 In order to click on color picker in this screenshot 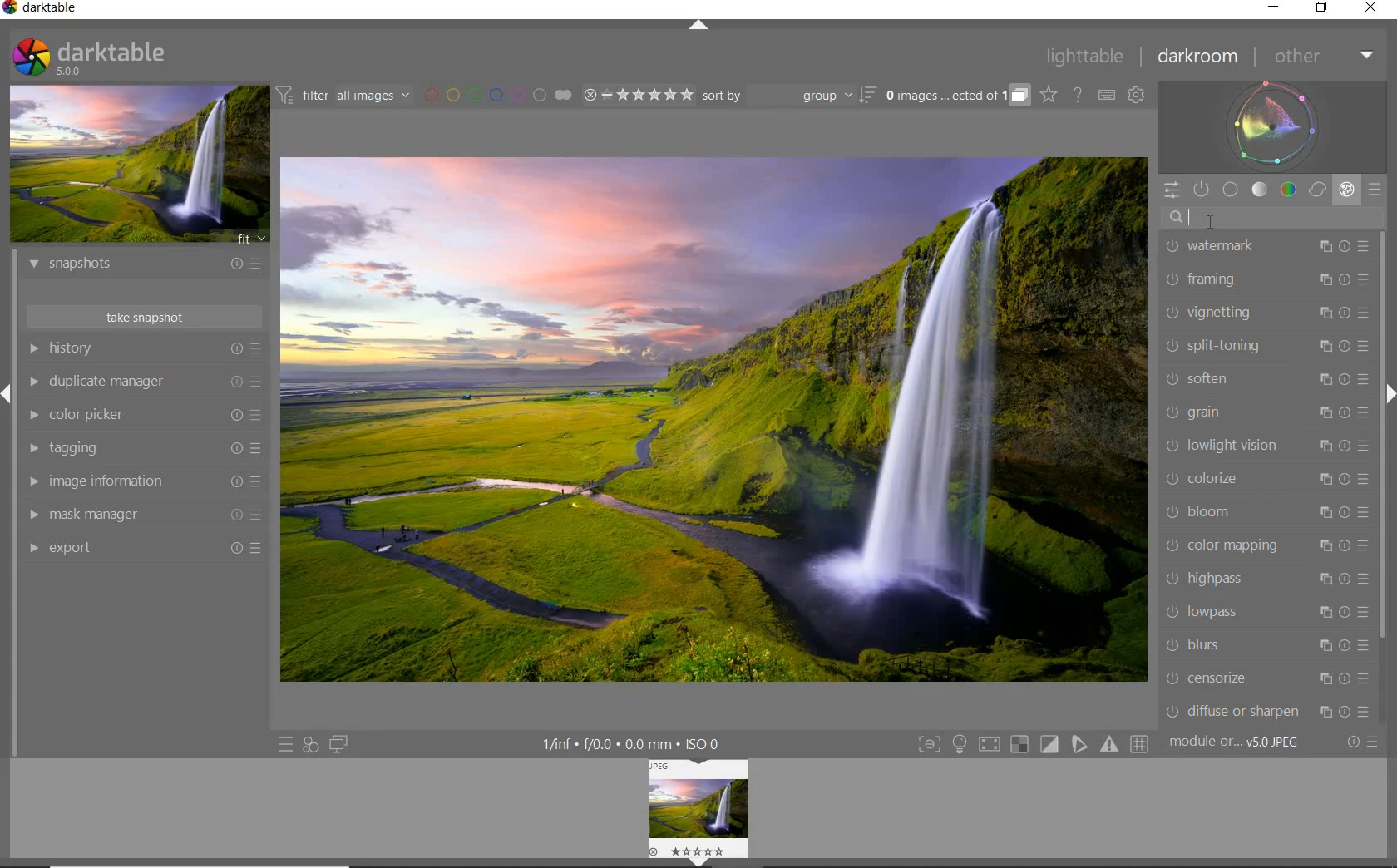, I will do `click(143, 415)`.